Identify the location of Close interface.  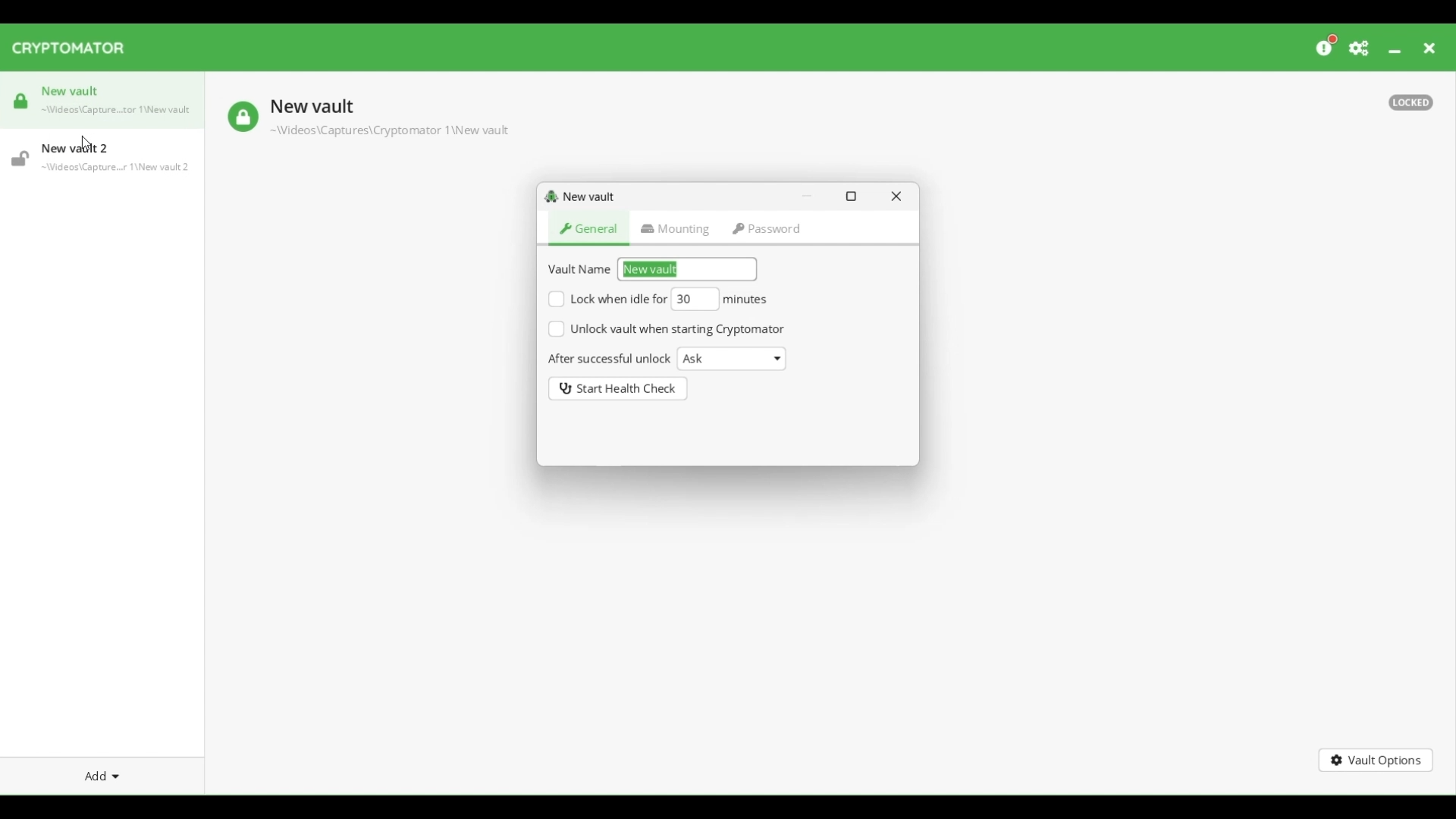
(1429, 49).